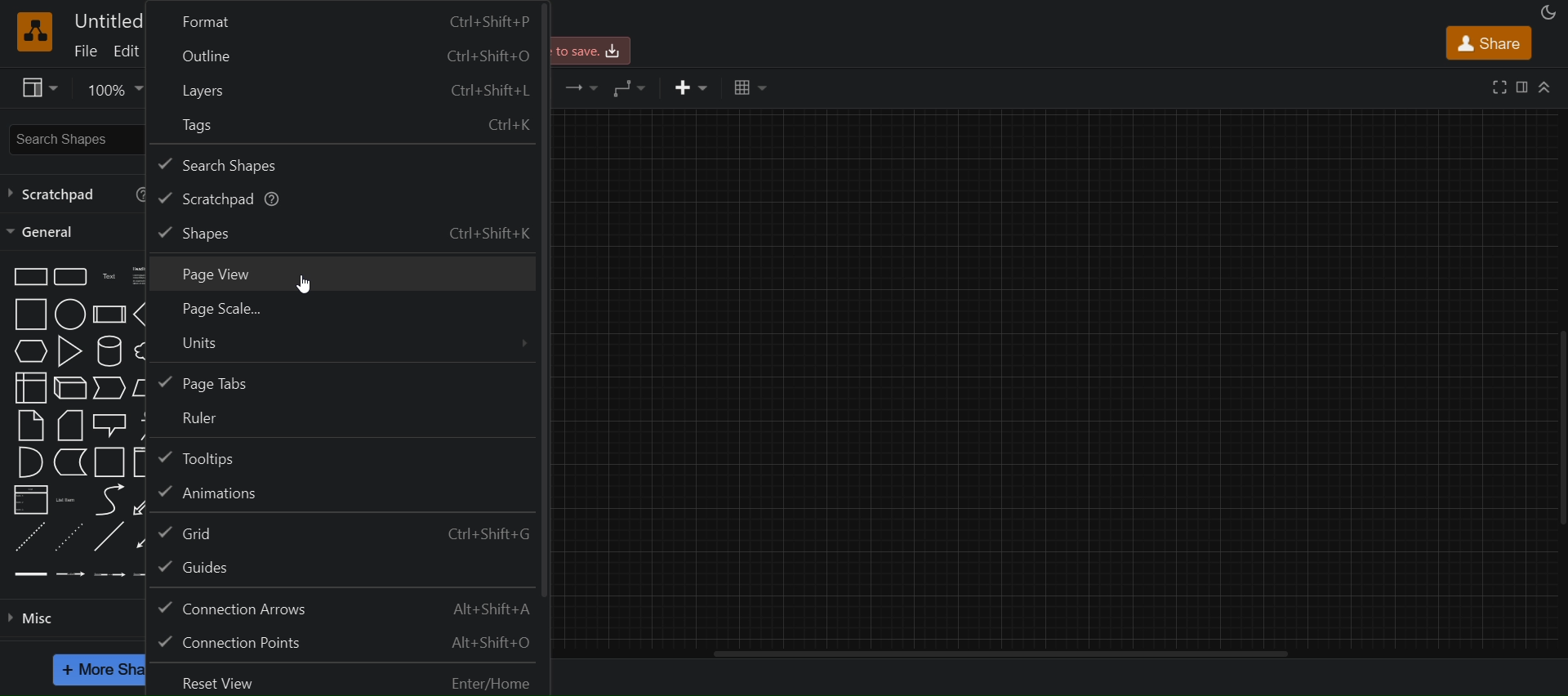 This screenshot has height=696, width=1568. I want to click on search shapes, so click(59, 140).